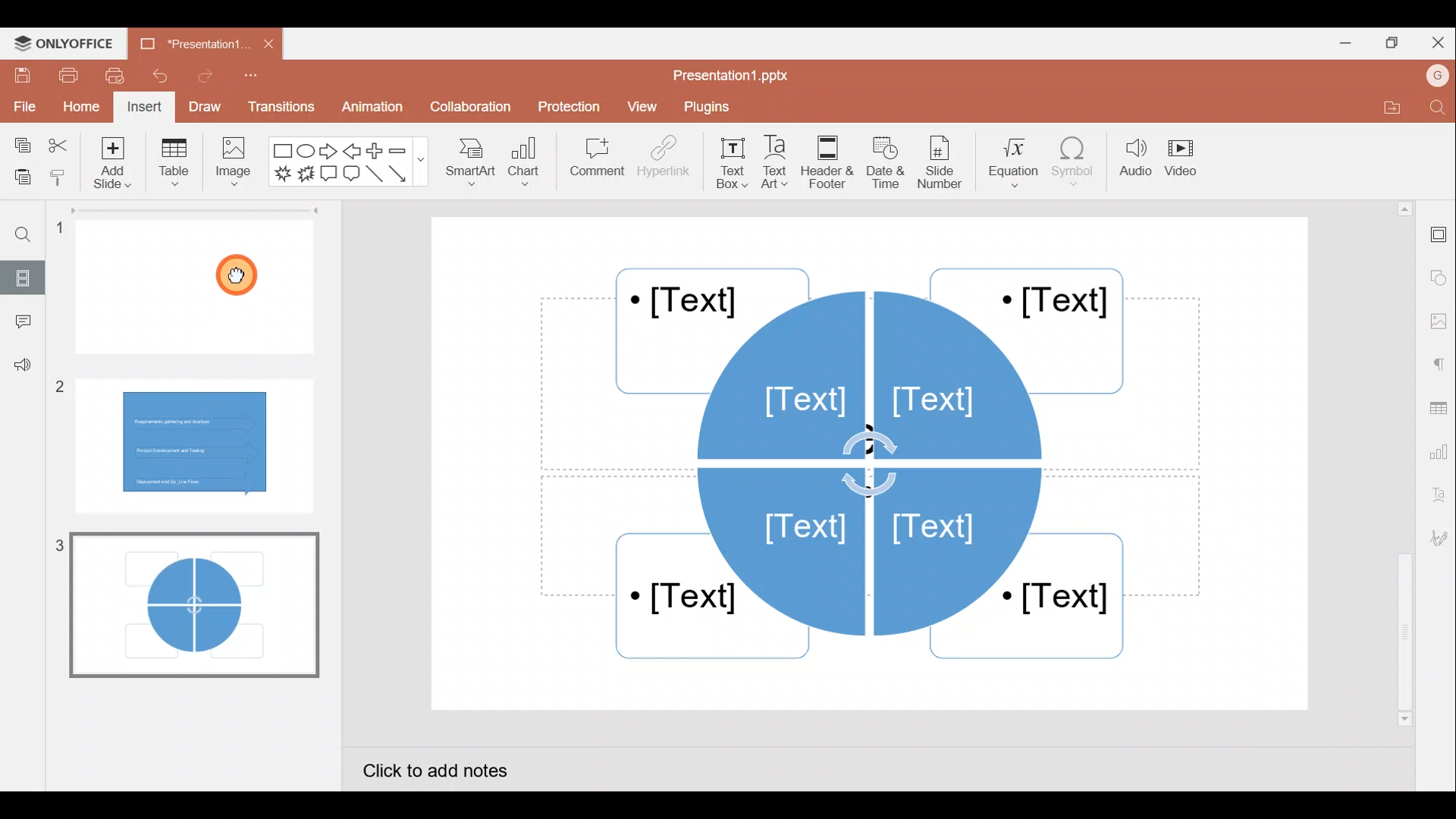  What do you see at coordinates (1401, 462) in the screenshot?
I see `Vertical scroll bar` at bounding box center [1401, 462].